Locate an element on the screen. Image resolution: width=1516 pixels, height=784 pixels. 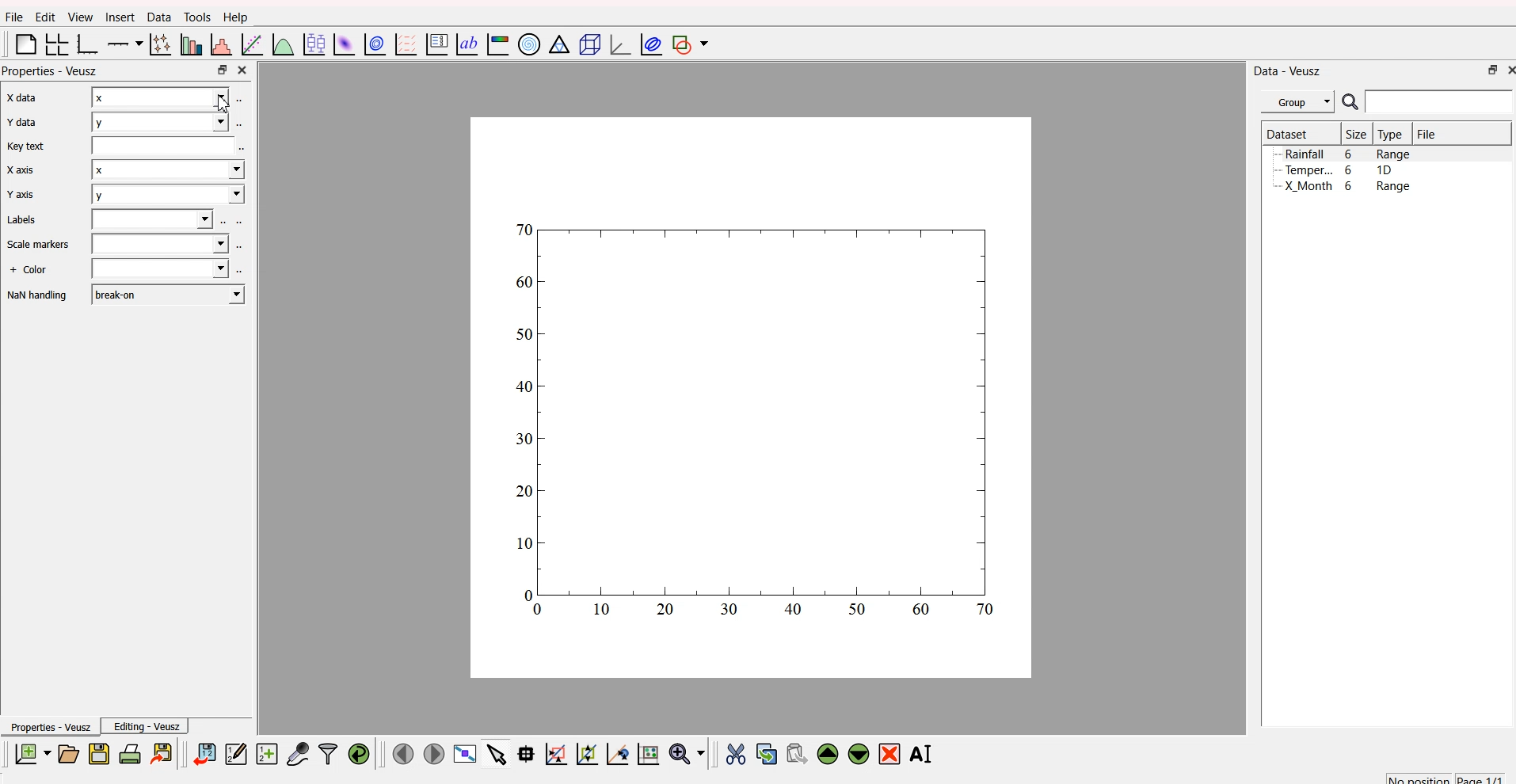
plot key is located at coordinates (436, 45).